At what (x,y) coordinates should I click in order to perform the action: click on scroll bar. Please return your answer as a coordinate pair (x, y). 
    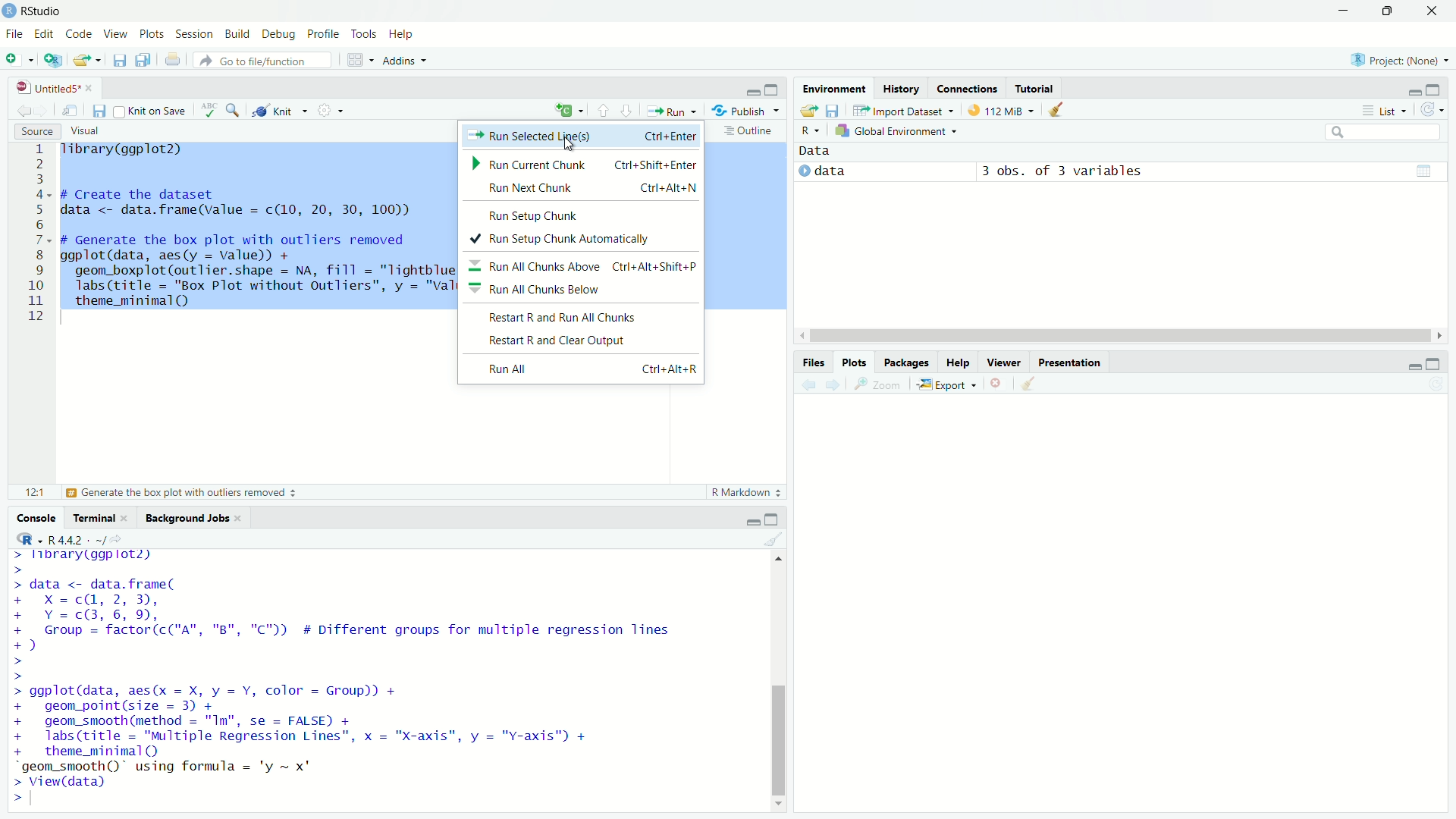
    Looking at the image, I should click on (1106, 334).